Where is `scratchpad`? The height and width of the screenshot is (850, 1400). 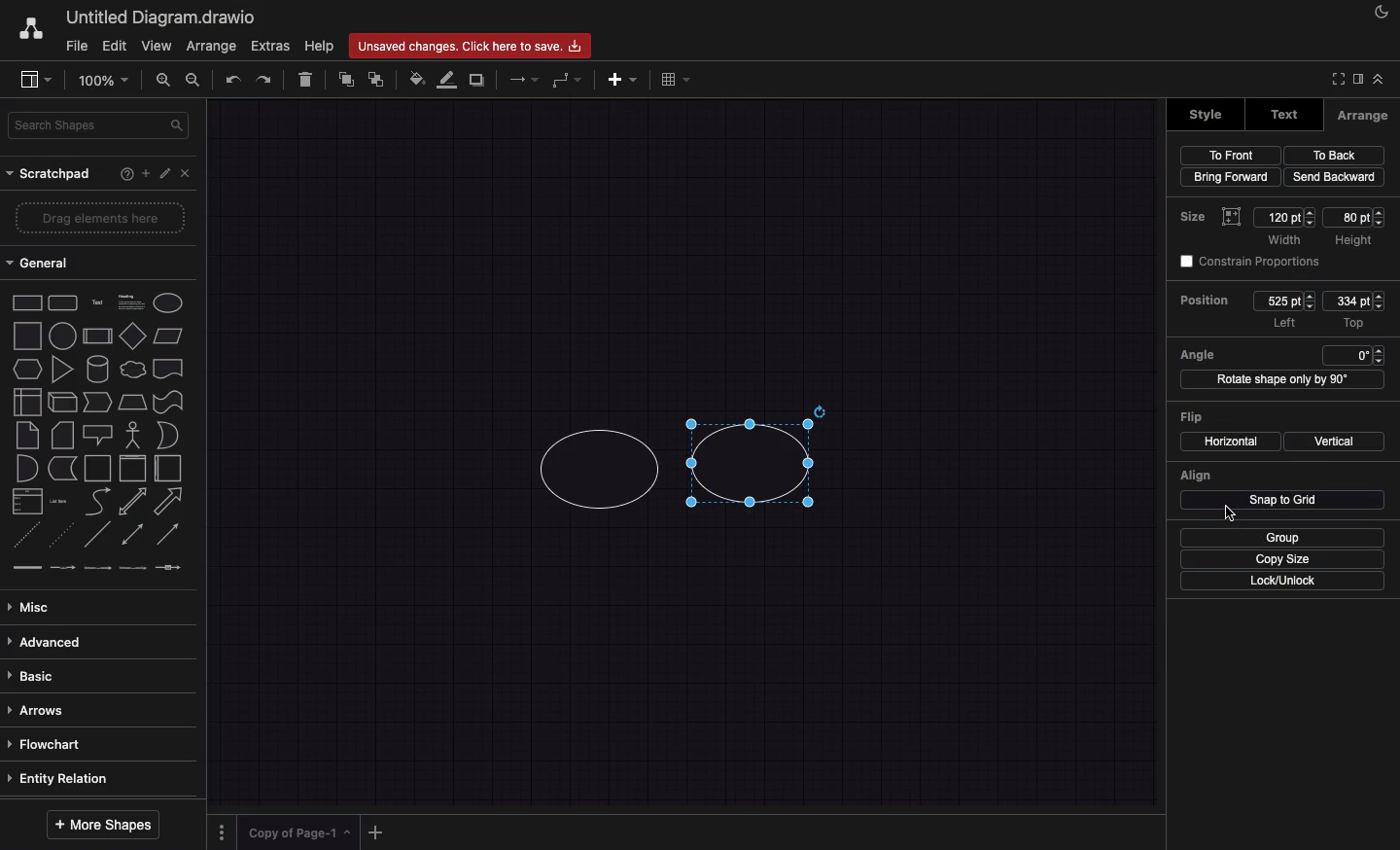 scratchpad is located at coordinates (51, 175).